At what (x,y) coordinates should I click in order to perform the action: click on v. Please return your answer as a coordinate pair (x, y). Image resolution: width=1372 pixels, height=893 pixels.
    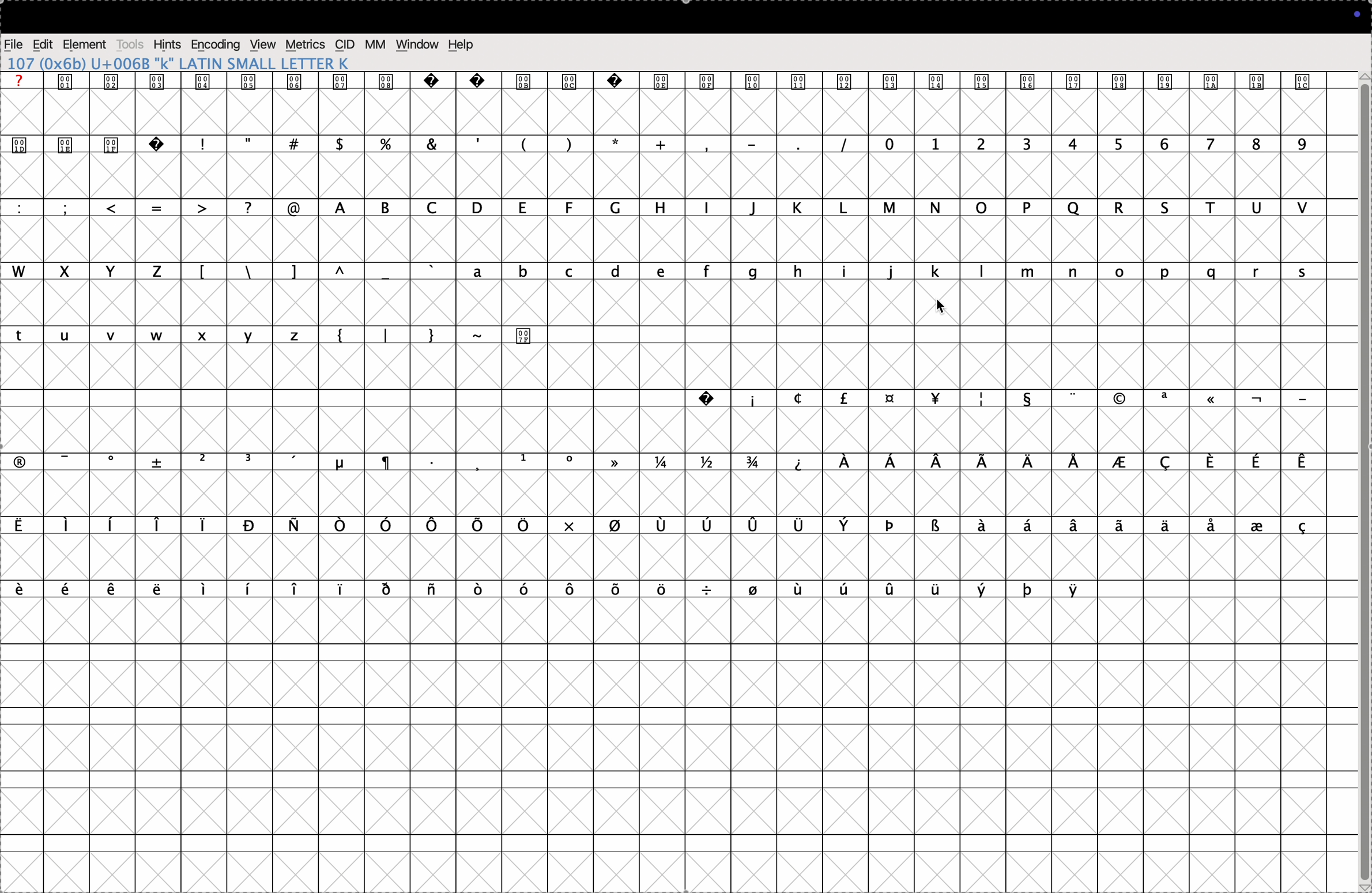
    Looking at the image, I should click on (110, 337).